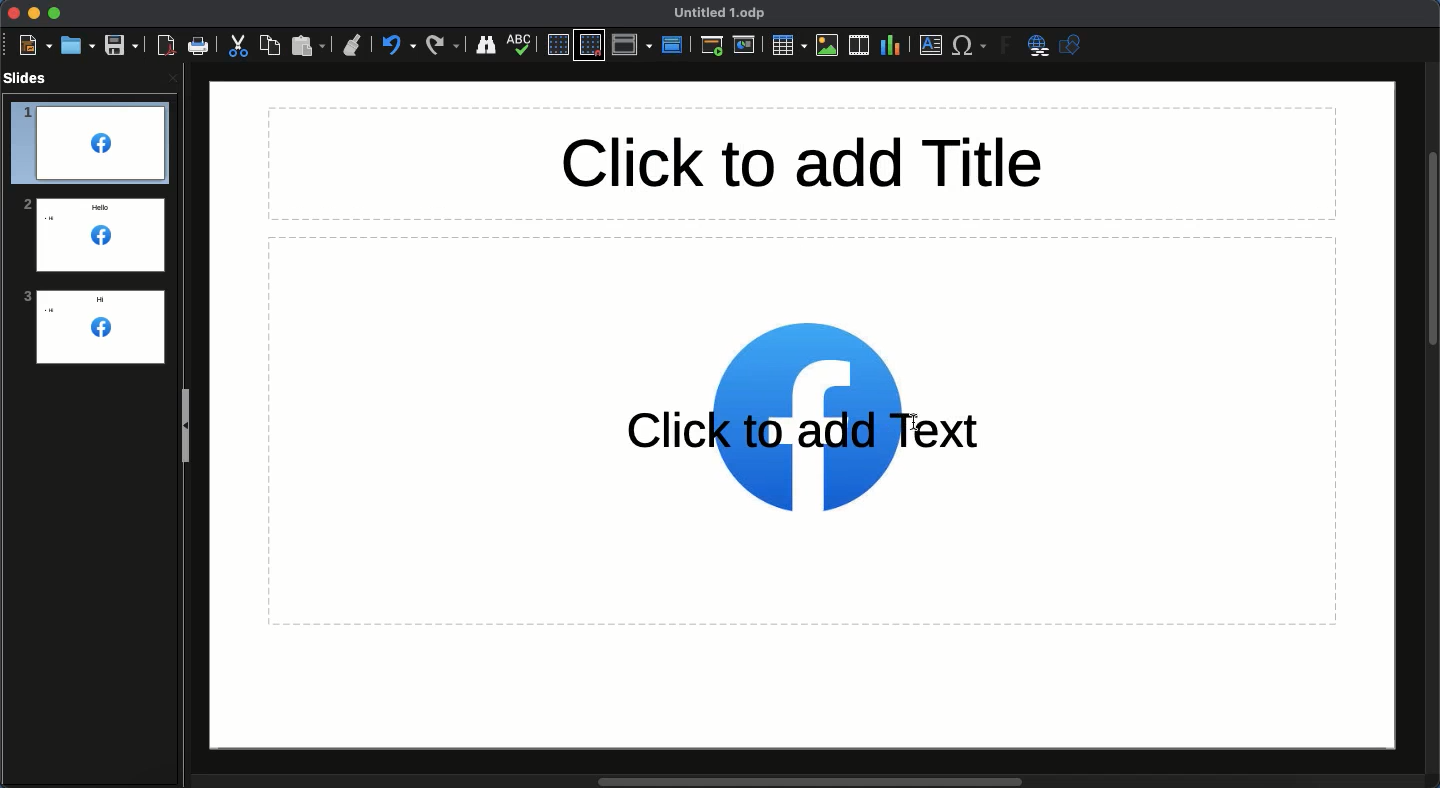 This screenshot has height=788, width=1440. What do you see at coordinates (32, 45) in the screenshot?
I see `New` at bounding box center [32, 45].